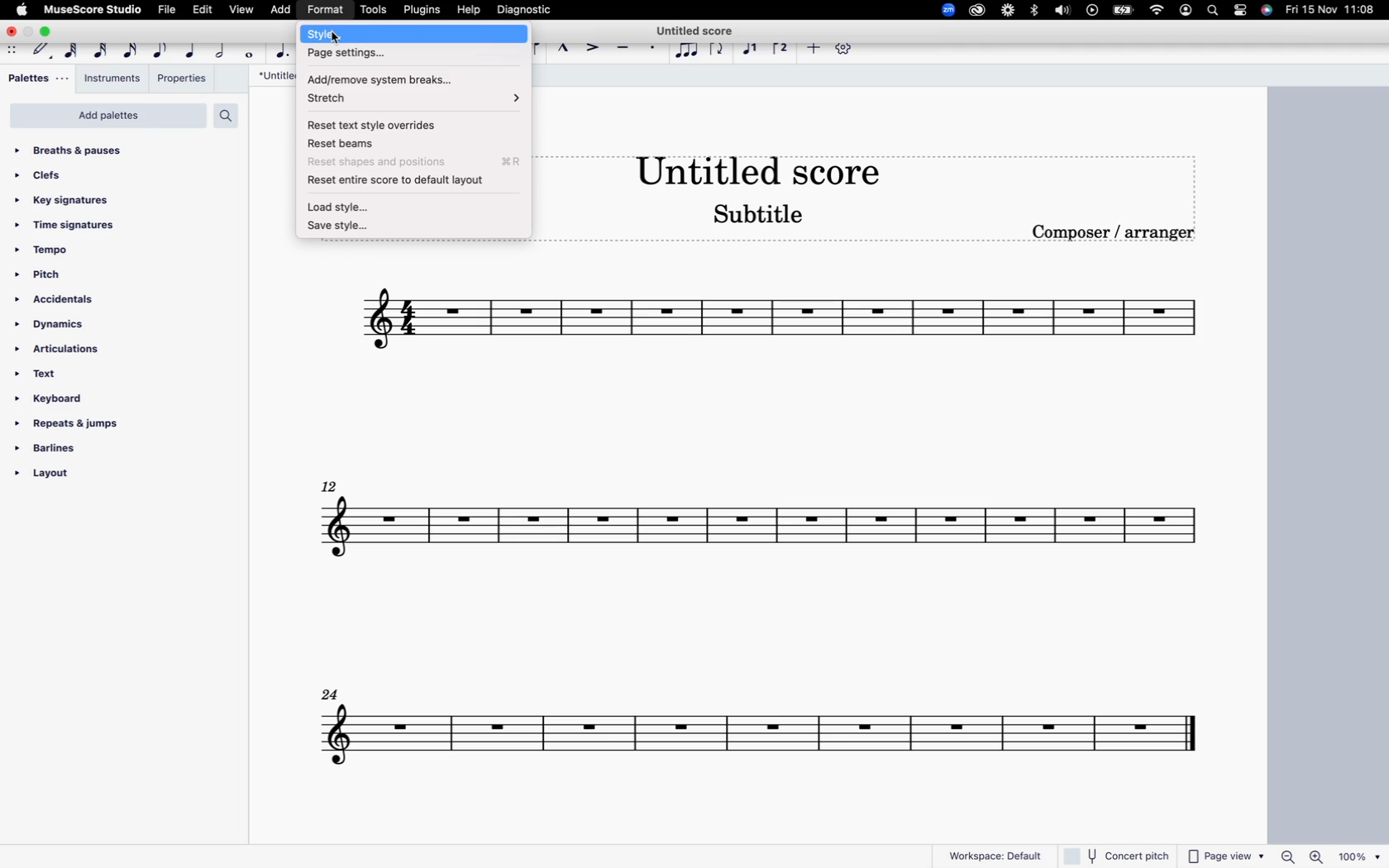 The image size is (1389, 868). I want to click on musescore studio, so click(96, 10).